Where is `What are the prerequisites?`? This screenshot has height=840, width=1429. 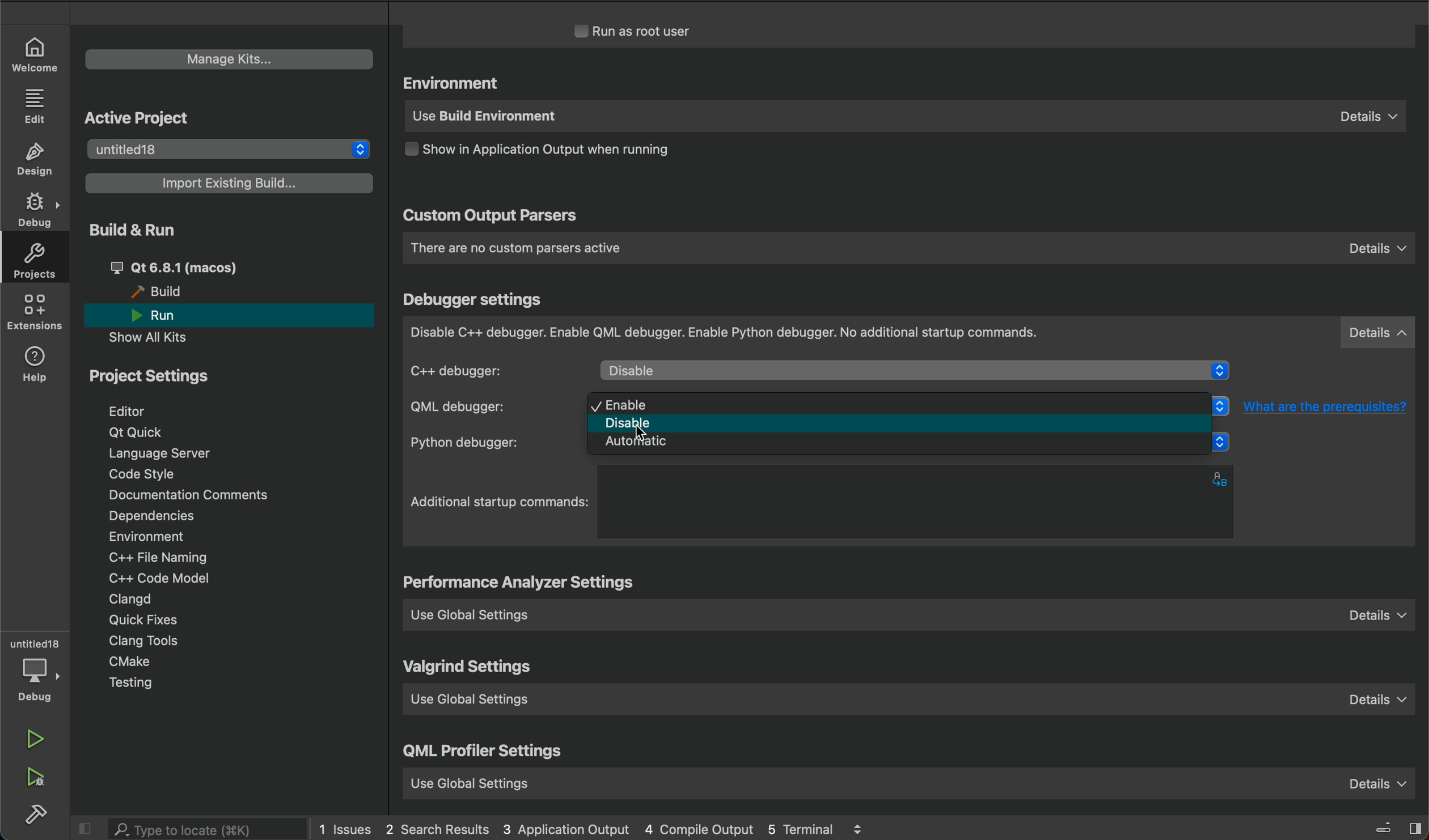
What are the prerequisites? is located at coordinates (1332, 406).